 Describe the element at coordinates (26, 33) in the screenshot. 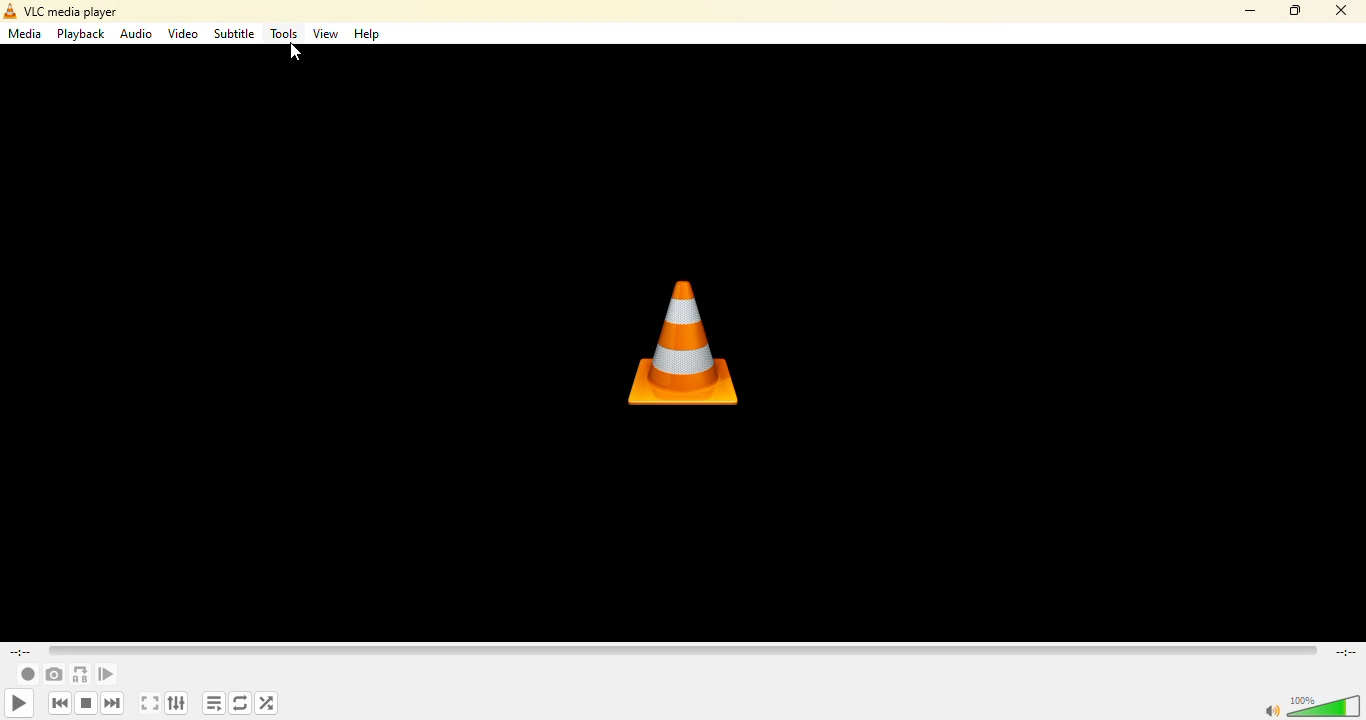

I see `media` at that location.